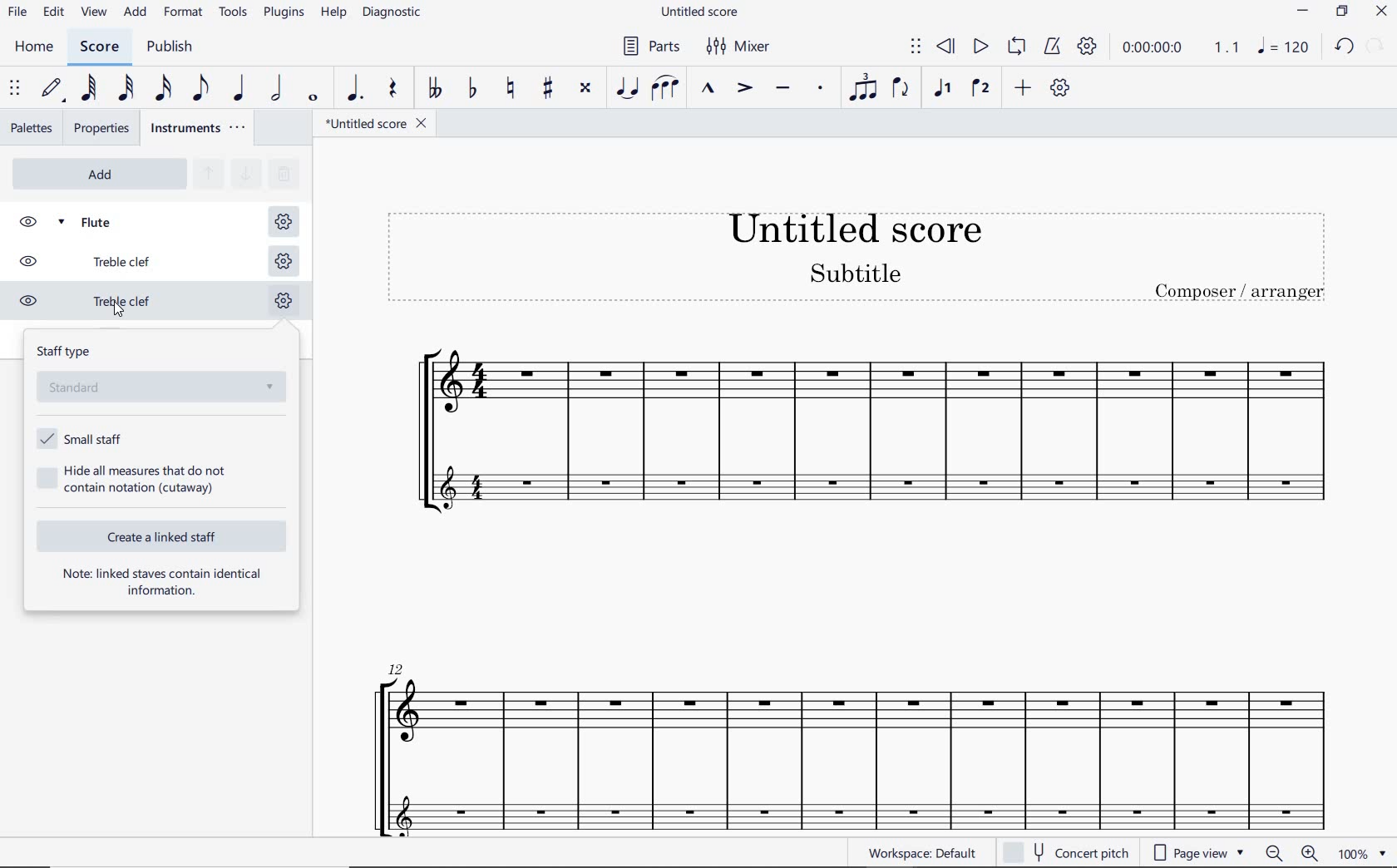 This screenshot has height=868, width=1397. I want to click on REMOVE SELECTED INSTRUMENTS, so click(282, 172).